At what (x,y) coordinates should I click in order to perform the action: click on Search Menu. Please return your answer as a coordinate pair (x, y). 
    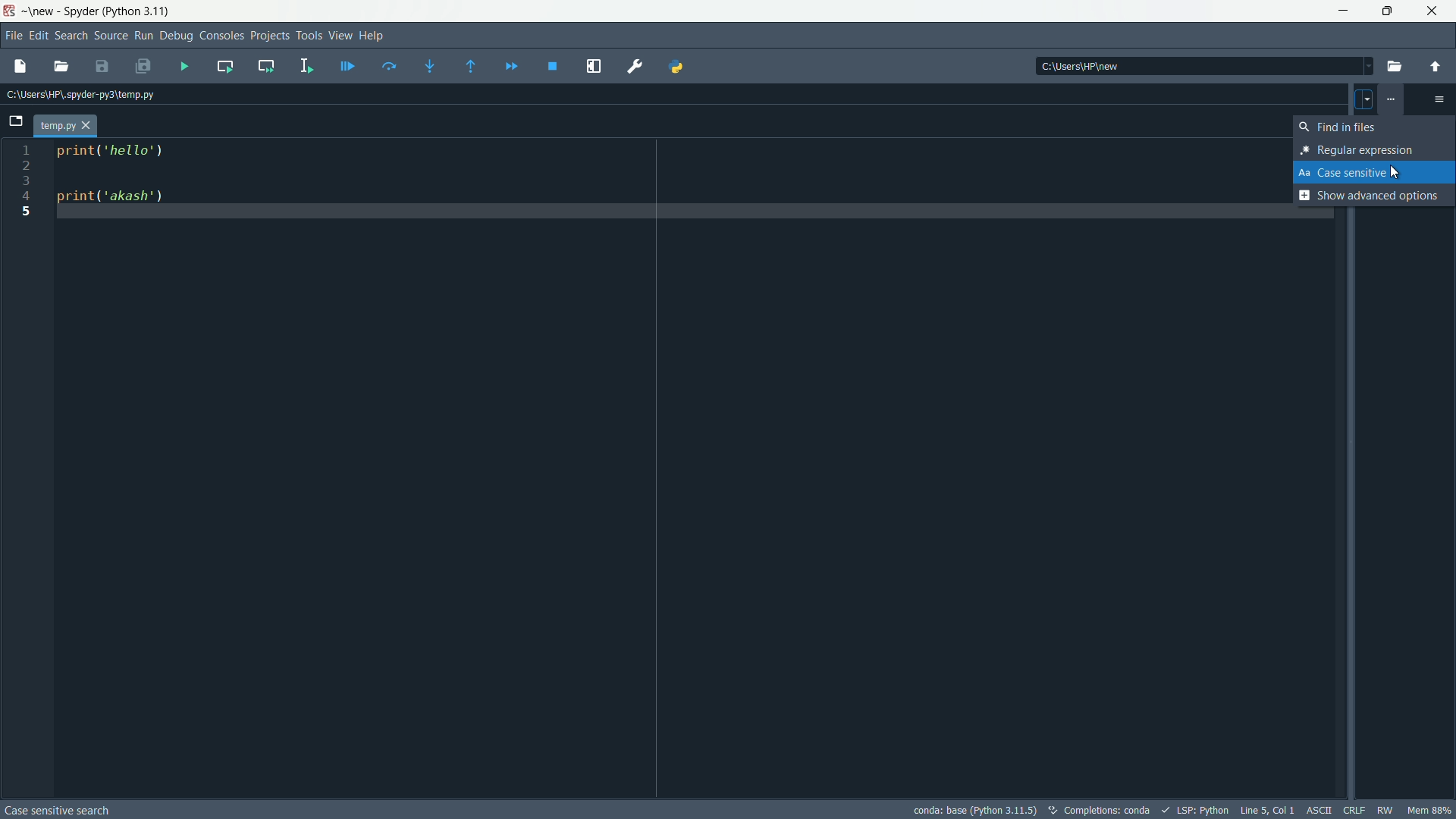
    Looking at the image, I should click on (69, 34).